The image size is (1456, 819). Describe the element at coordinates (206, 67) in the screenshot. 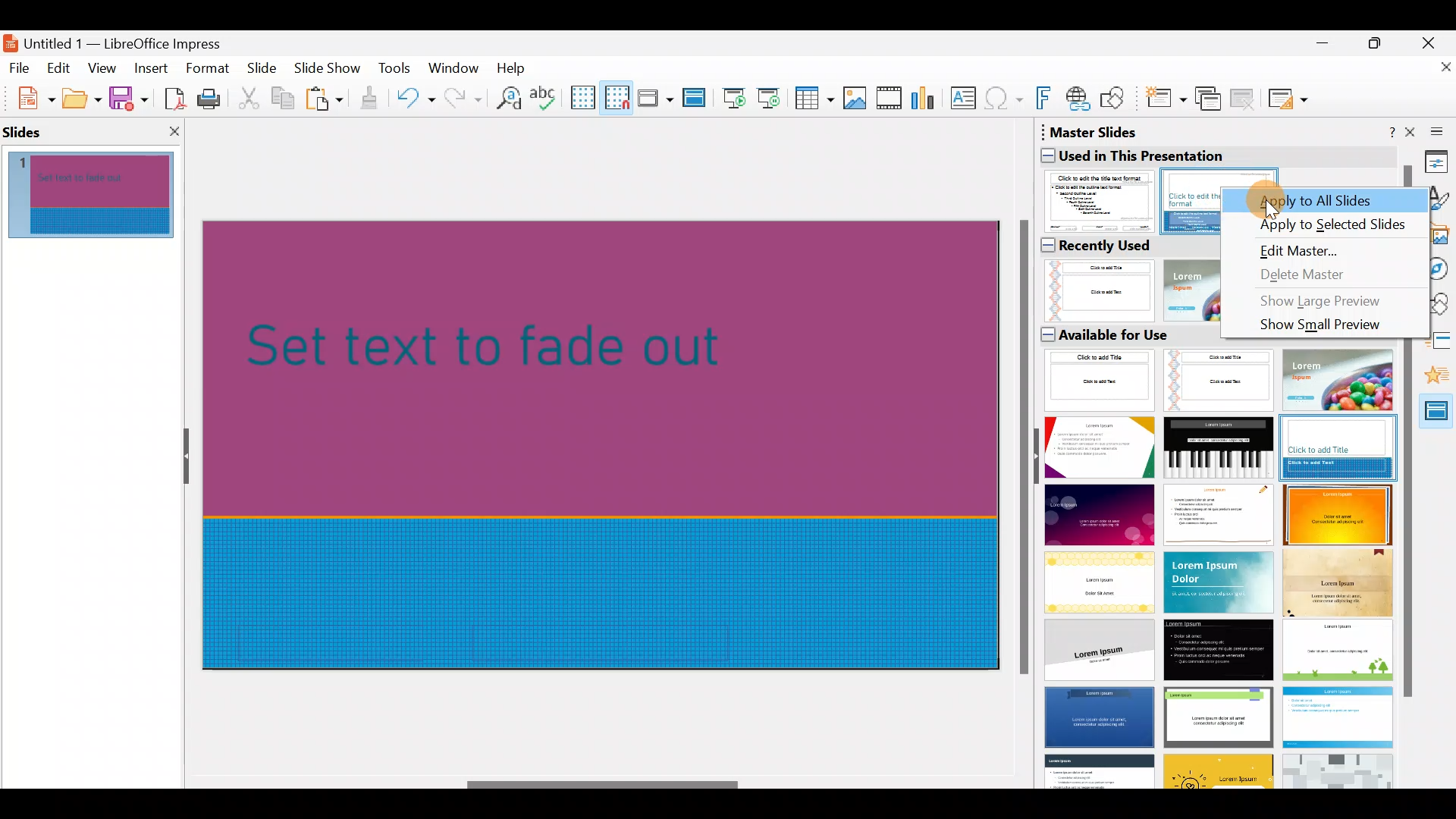

I see `Format` at that location.